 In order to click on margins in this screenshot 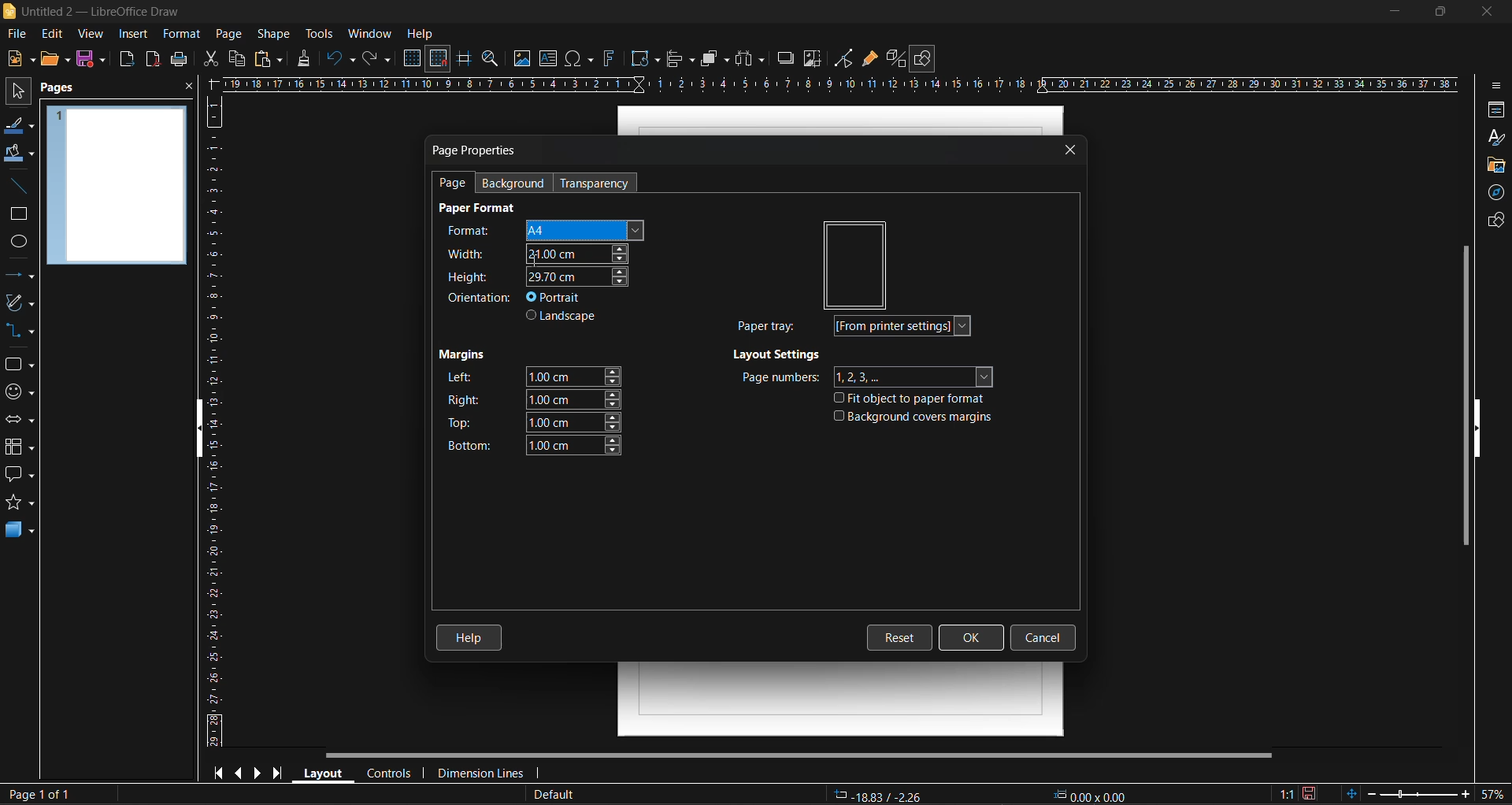, I will do `click(464, 357)`.